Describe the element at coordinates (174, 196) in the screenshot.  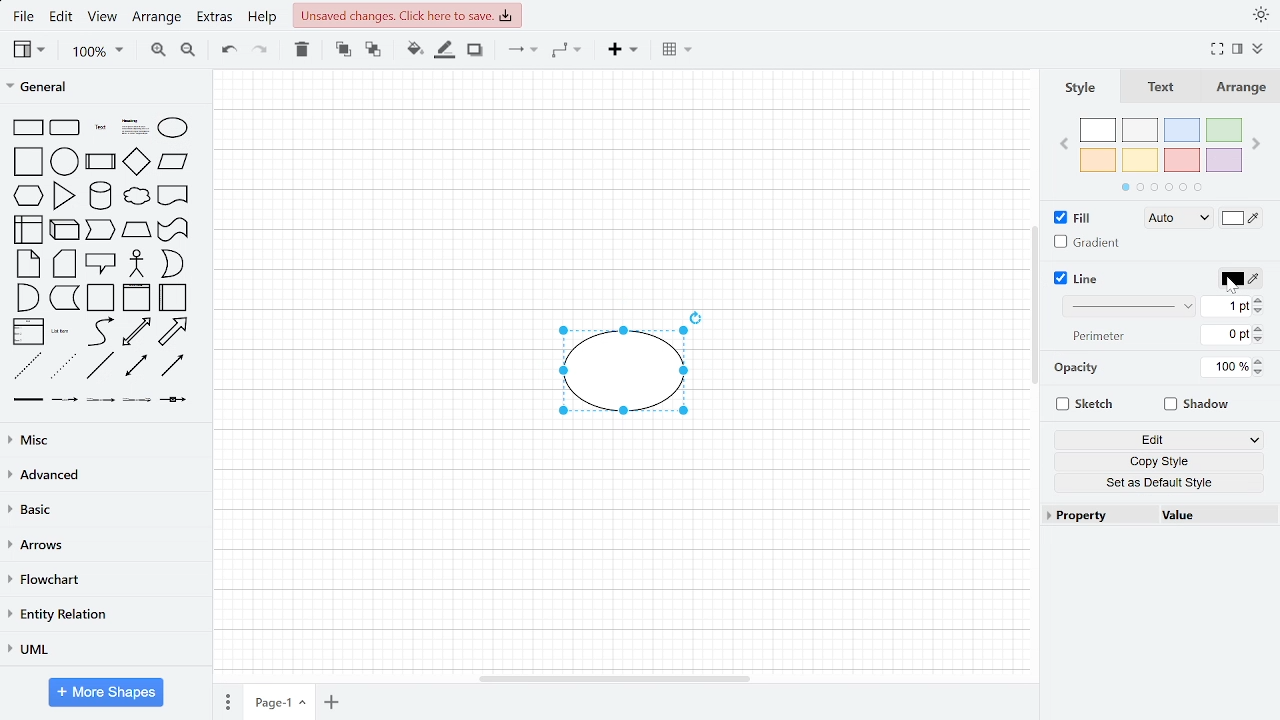
I see `document` at that location.